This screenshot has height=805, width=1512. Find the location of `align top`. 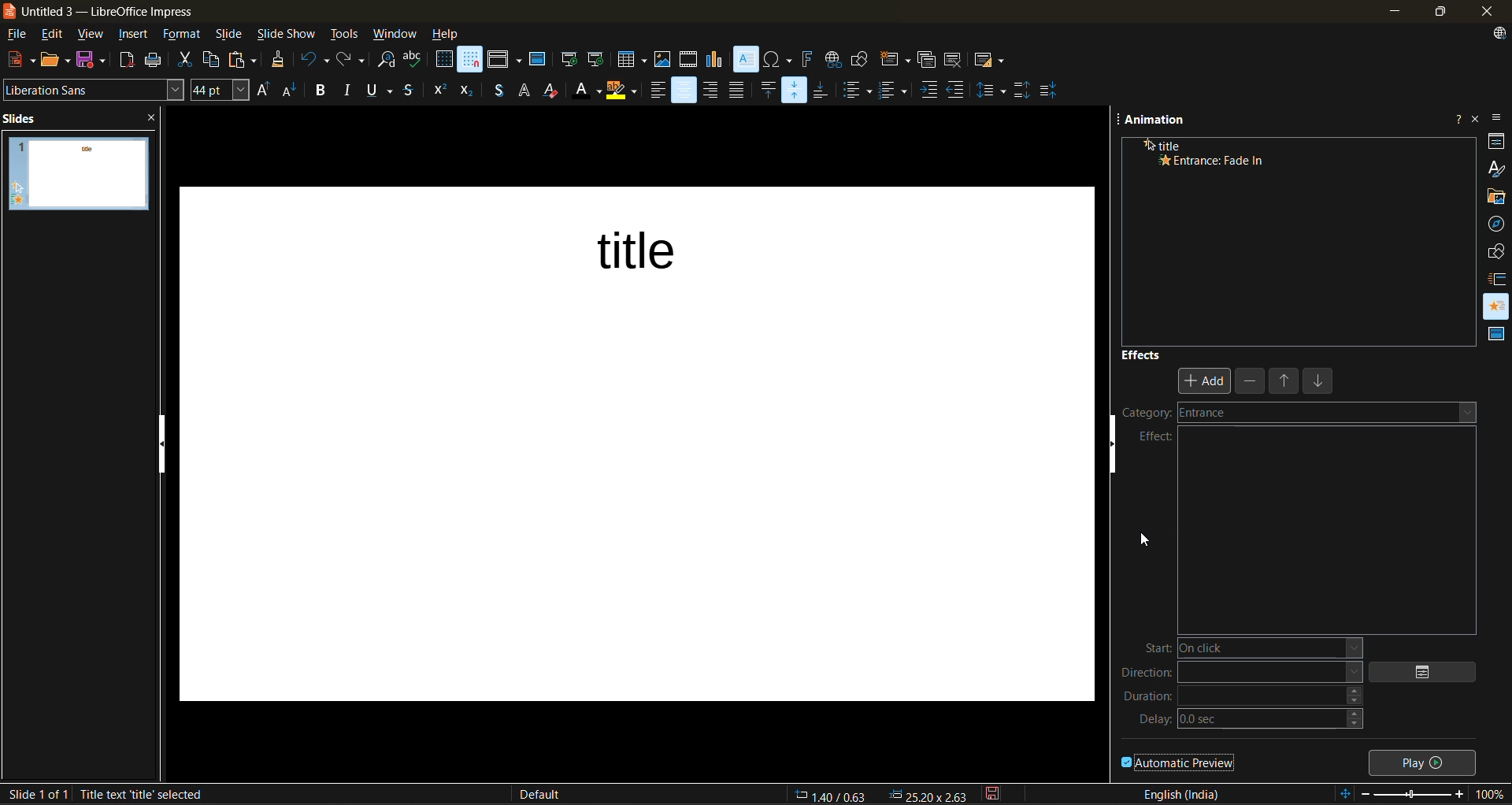

align top is located at coordinates (766, 91).